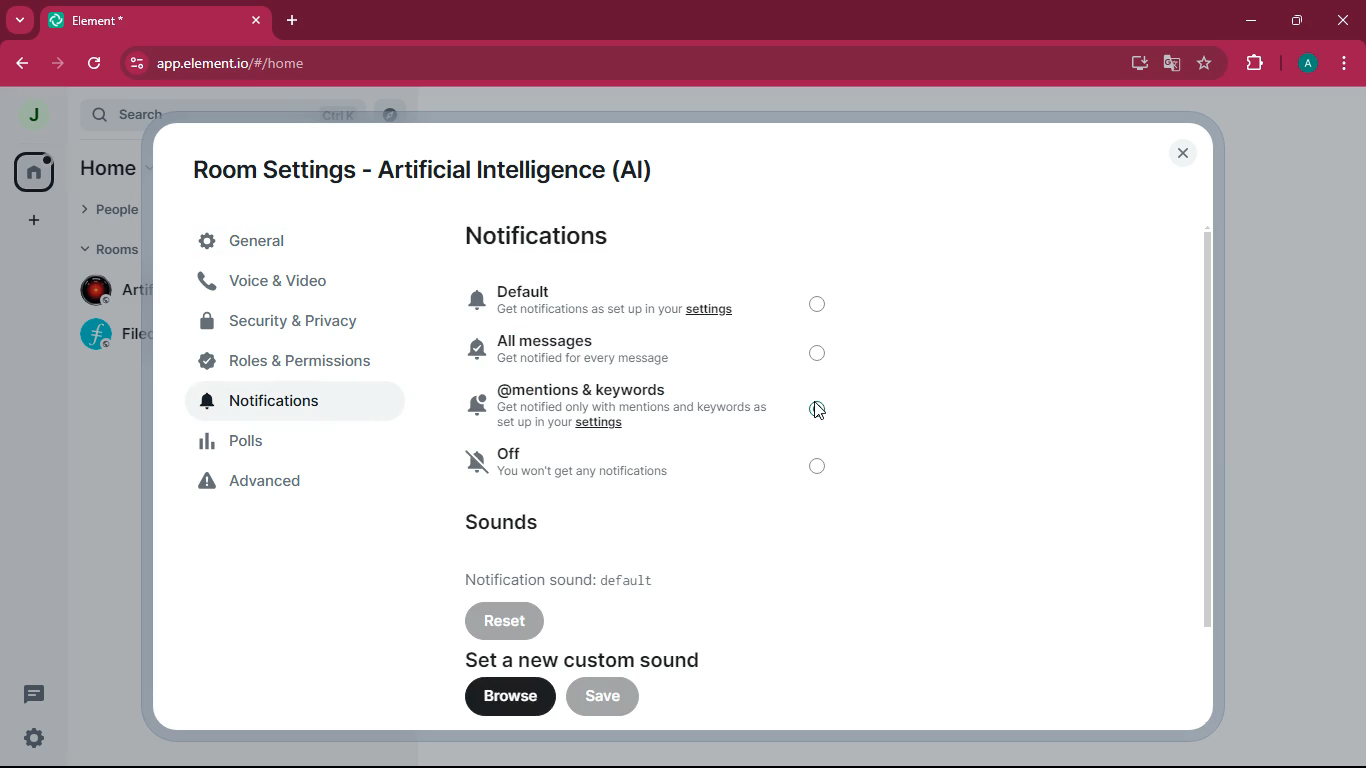 The image size is (1366, 768). What do you see at coordinates (96, 64) in the screenshot?
I see `refresh` at bounding box center [96, 64].